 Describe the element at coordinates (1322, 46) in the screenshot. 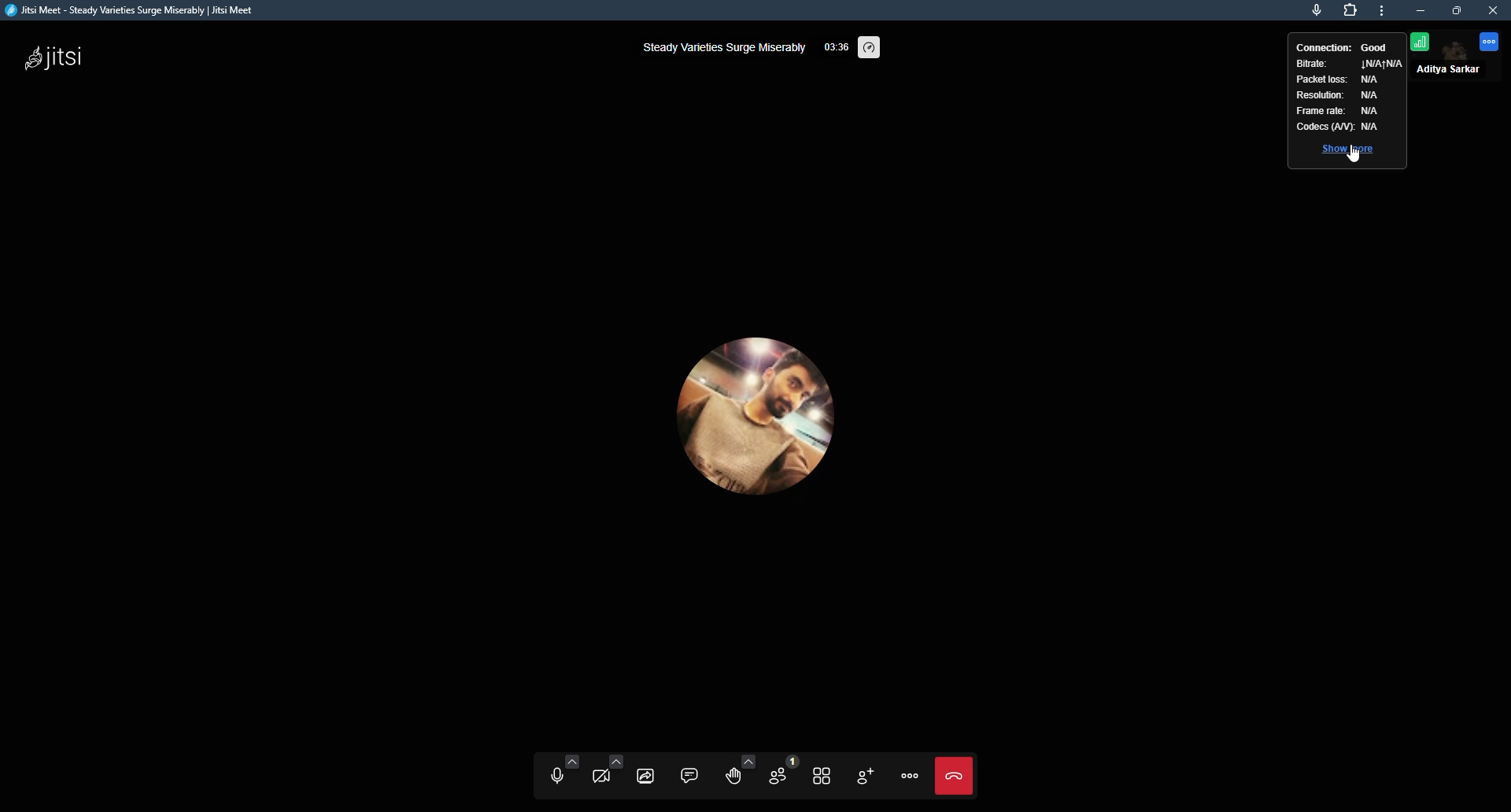

I see `connection` at that location.